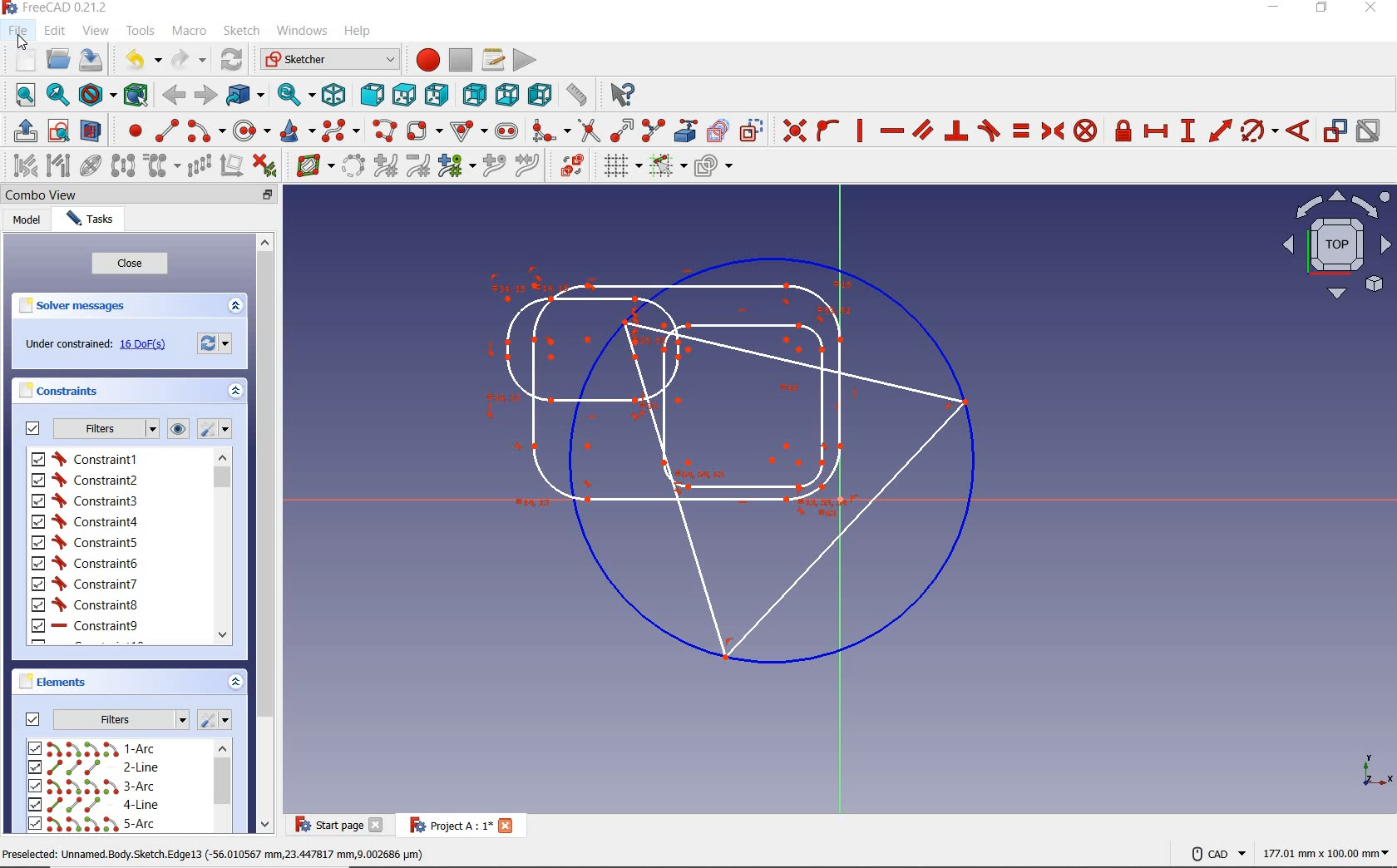  I want to click on create arc, so click(205, 131).